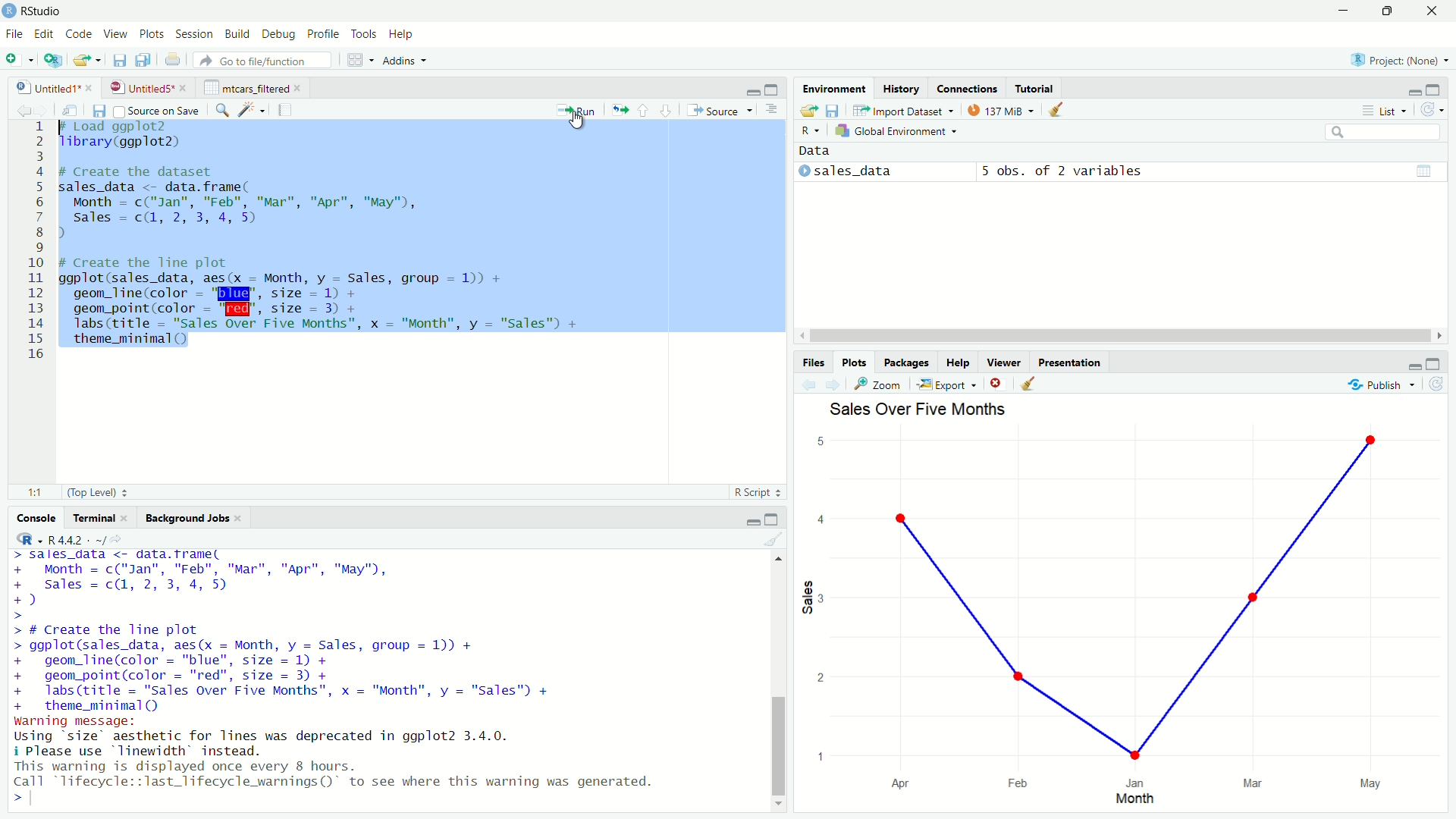 Image resolution: width=1456 pixels, height=819 pixels. I want to click on save, so click(835, 111).